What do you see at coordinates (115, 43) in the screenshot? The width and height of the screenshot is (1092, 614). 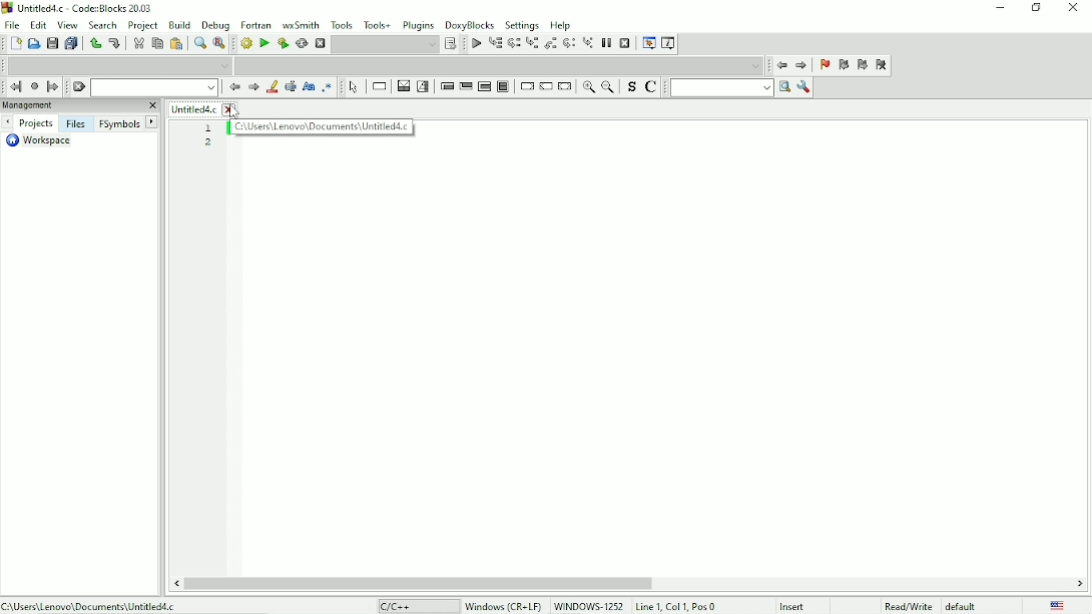 I see `Redo` at bounding box center [115, 43].